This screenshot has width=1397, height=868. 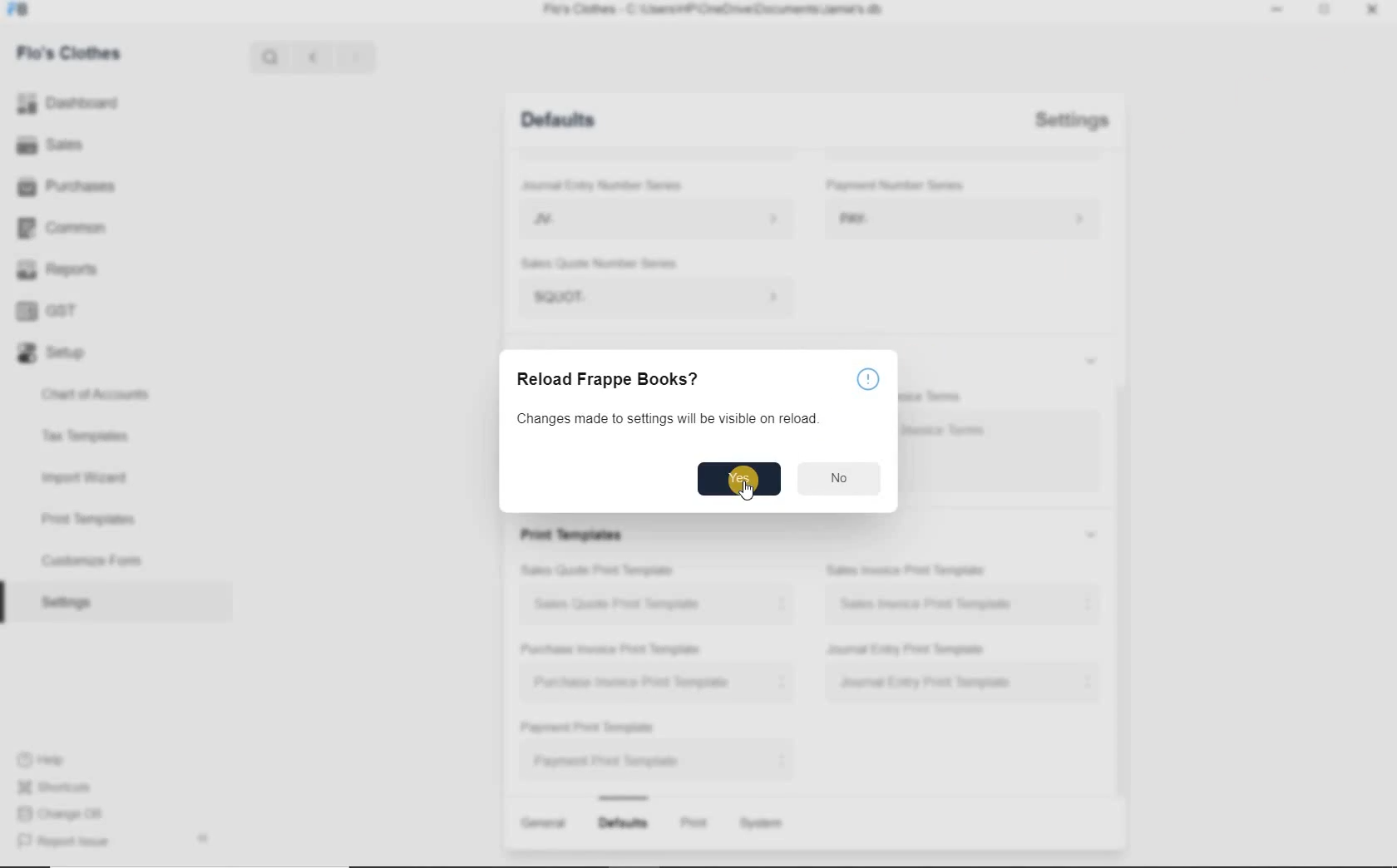 I want to click on JV, so click(x=649, y=218).